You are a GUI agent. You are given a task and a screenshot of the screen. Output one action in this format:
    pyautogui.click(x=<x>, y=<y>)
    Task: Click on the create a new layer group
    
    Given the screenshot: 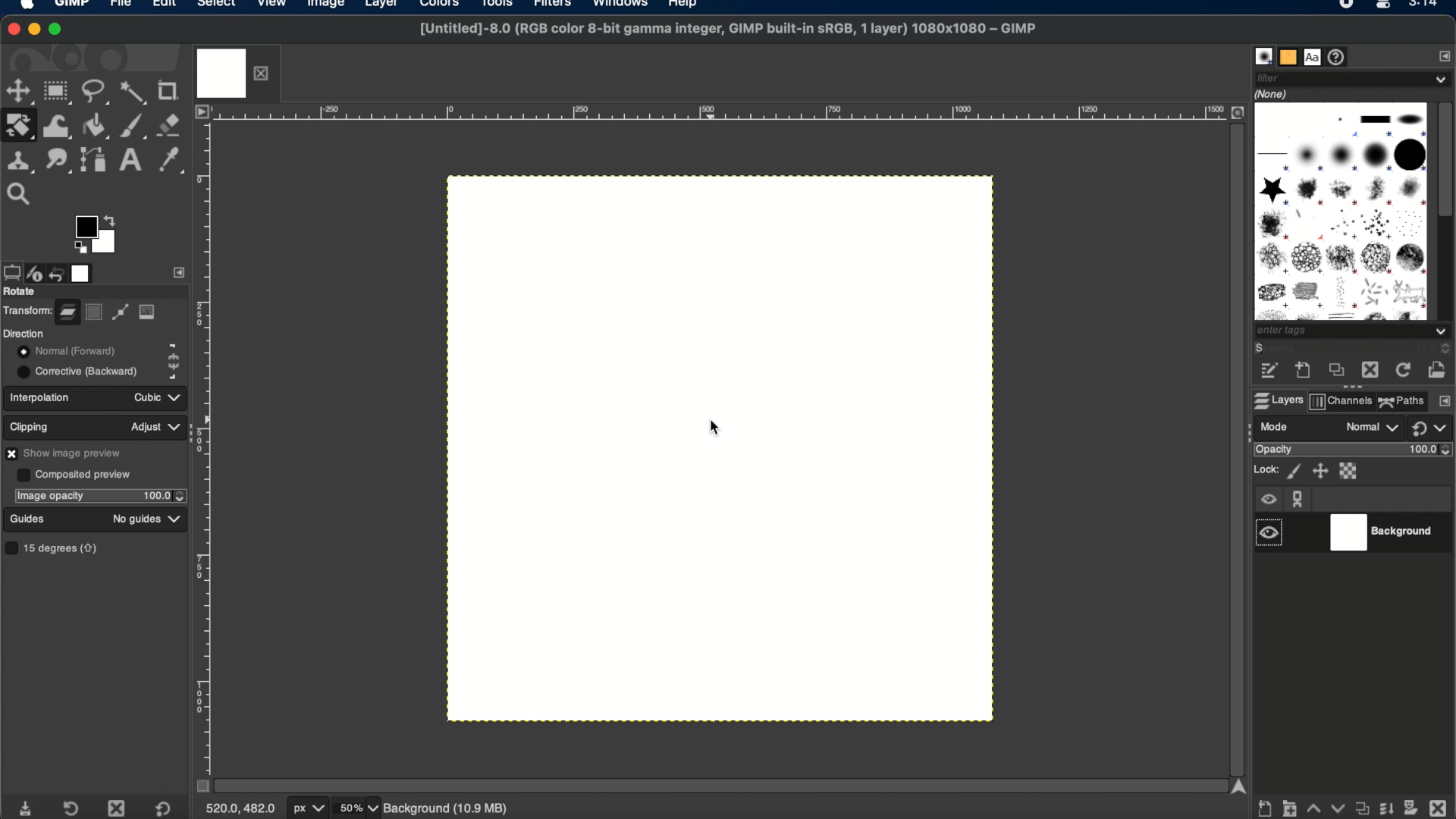 What is the action you would take?
    pyautogui.click(x=1290, y=807)
    